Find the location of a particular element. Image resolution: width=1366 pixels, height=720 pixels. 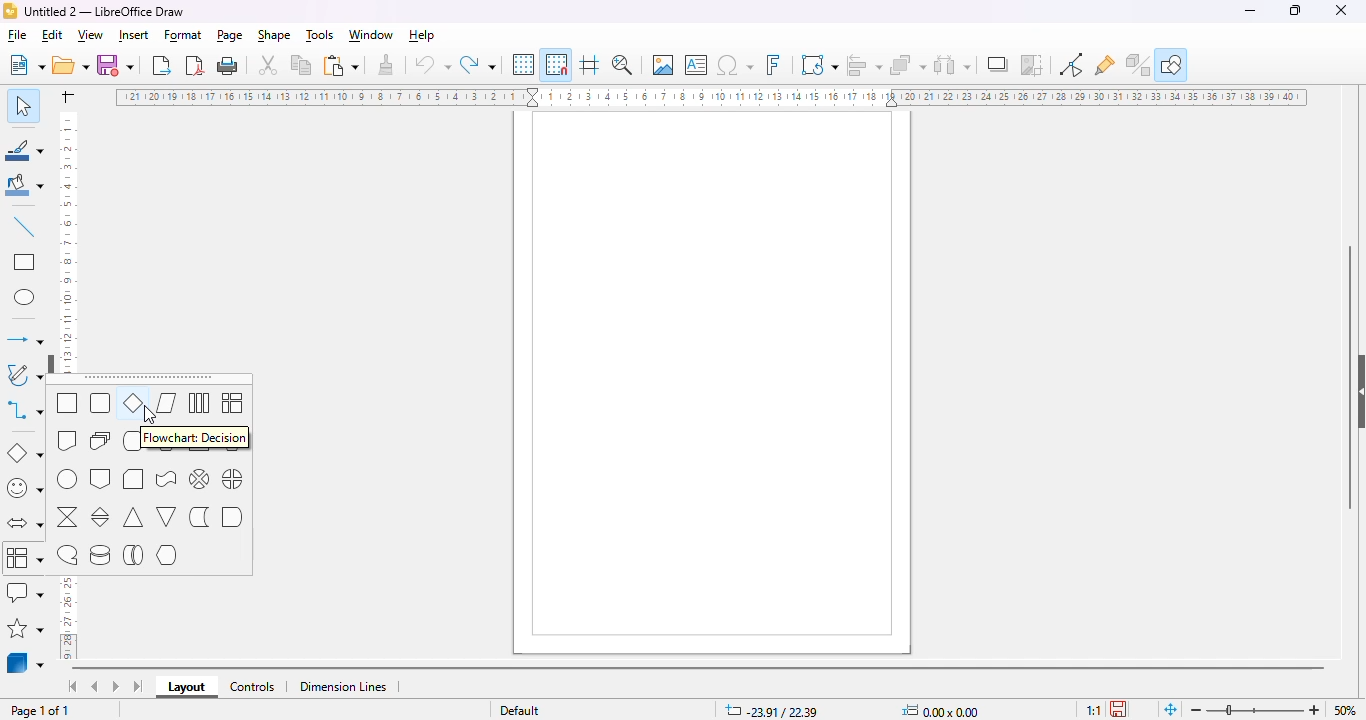

flowchart: terminator is located at coordinates (134, 441).